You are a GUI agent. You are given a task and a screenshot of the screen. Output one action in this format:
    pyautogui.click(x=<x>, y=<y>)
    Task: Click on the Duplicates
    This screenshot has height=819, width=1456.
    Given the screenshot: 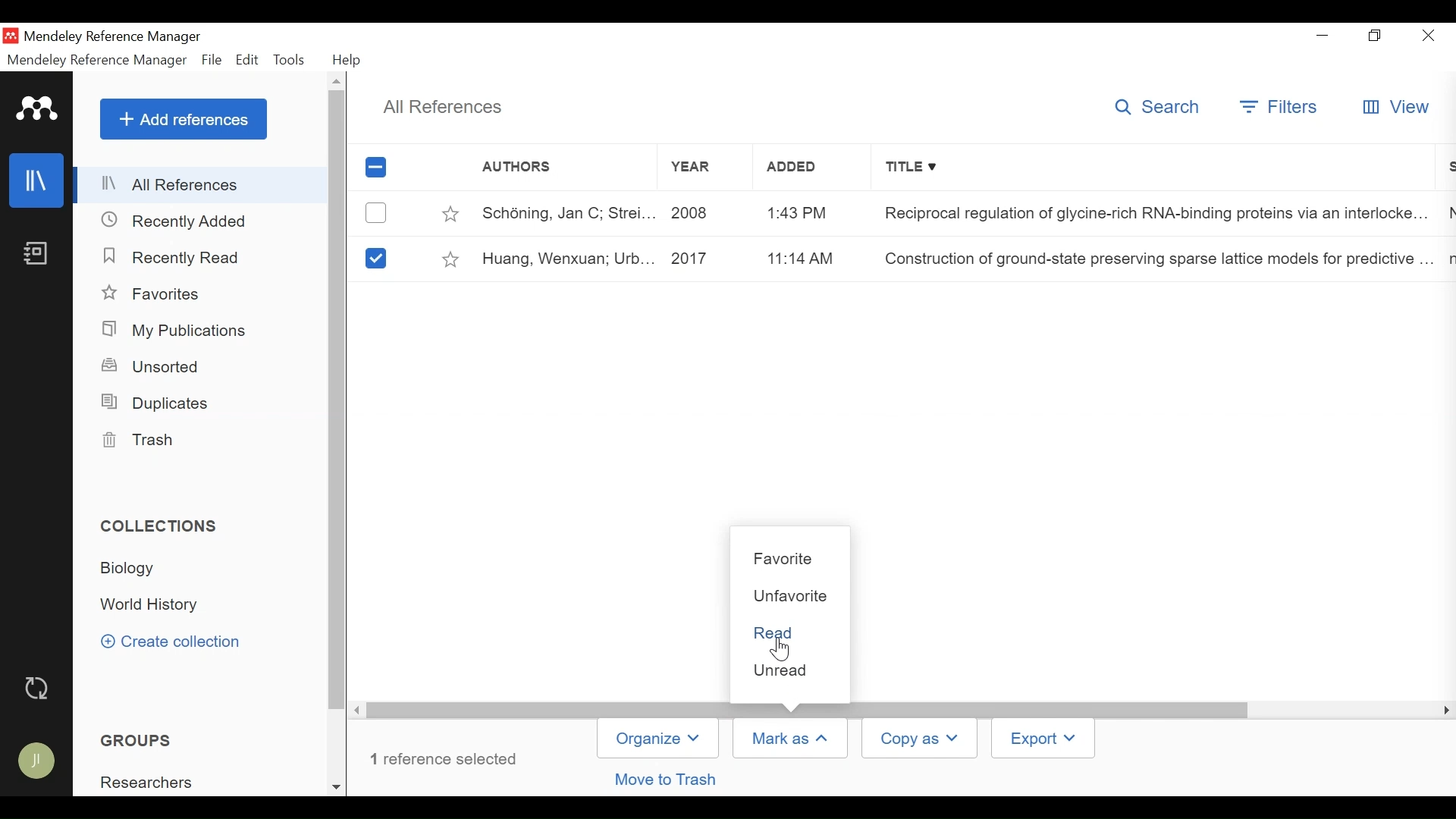 What is the action you would take?
    pyautogui.click(x=158, y=403)
    